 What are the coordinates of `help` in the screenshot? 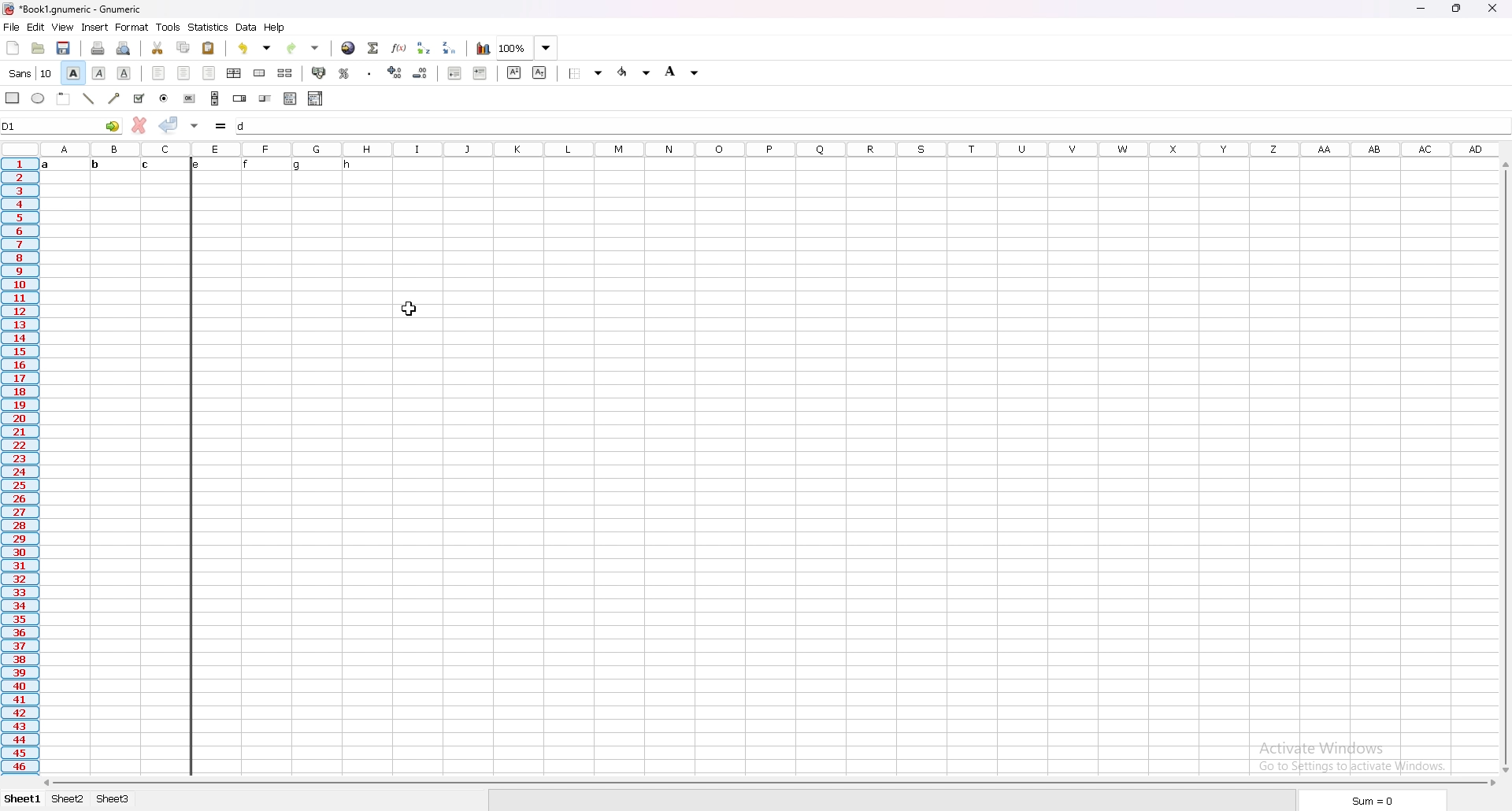 It's located at (274, 27).